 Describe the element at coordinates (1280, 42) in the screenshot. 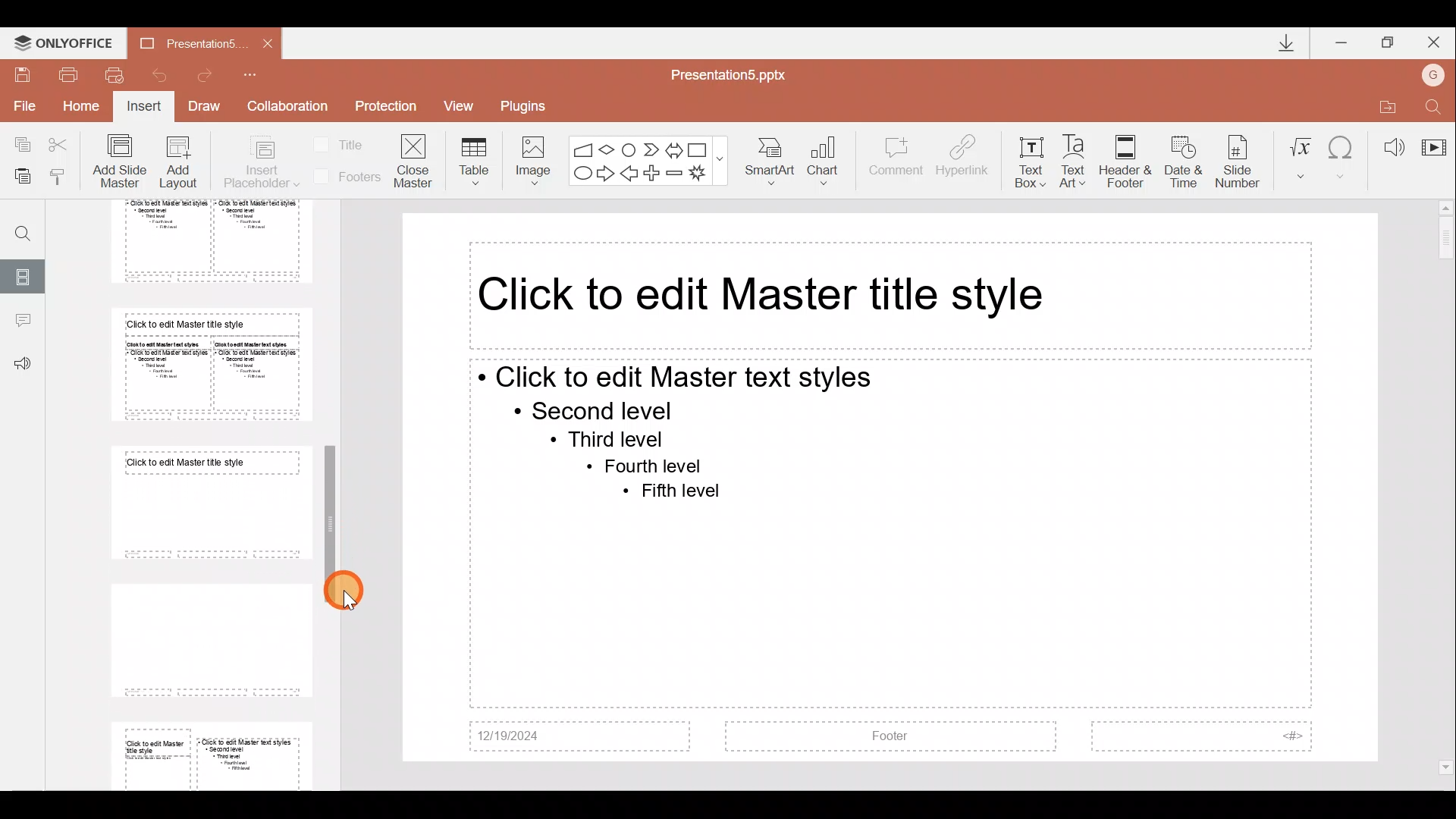

I see `Downloads` at that location.